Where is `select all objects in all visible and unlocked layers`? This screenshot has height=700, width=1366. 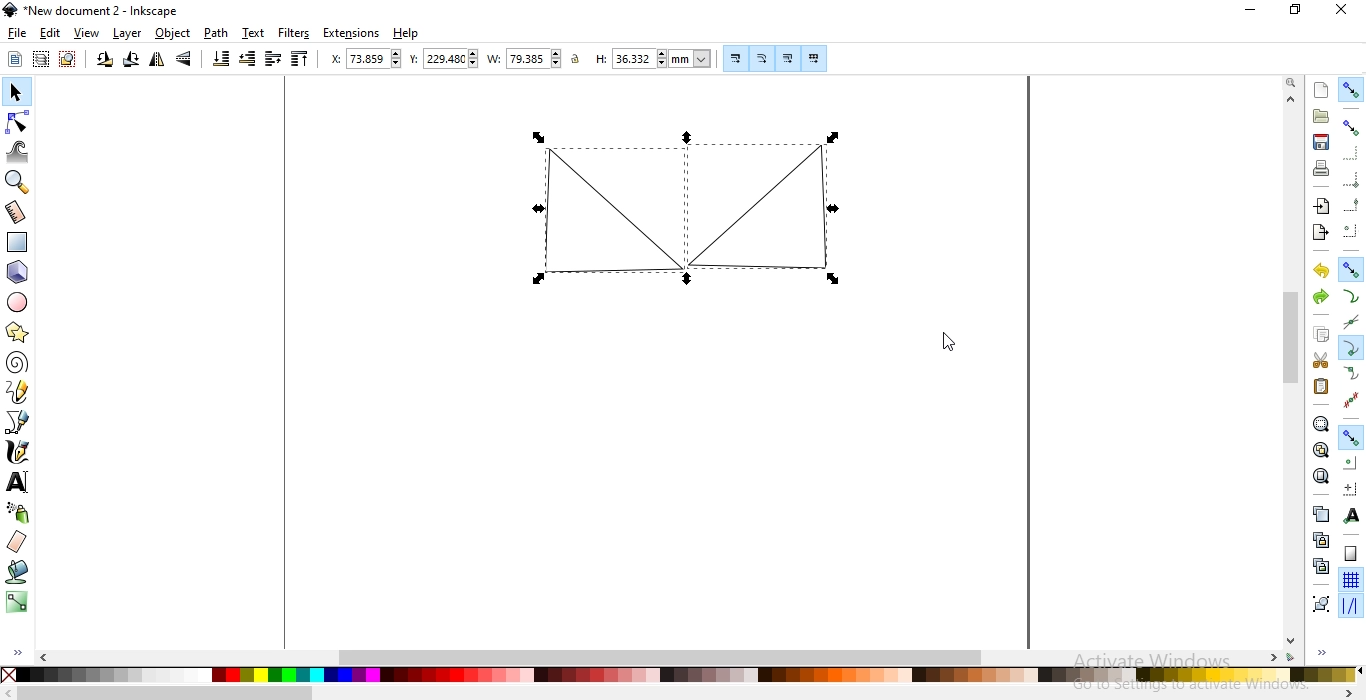 select all objects in all visible and unlocked layers is located at coordinates (42, 58).